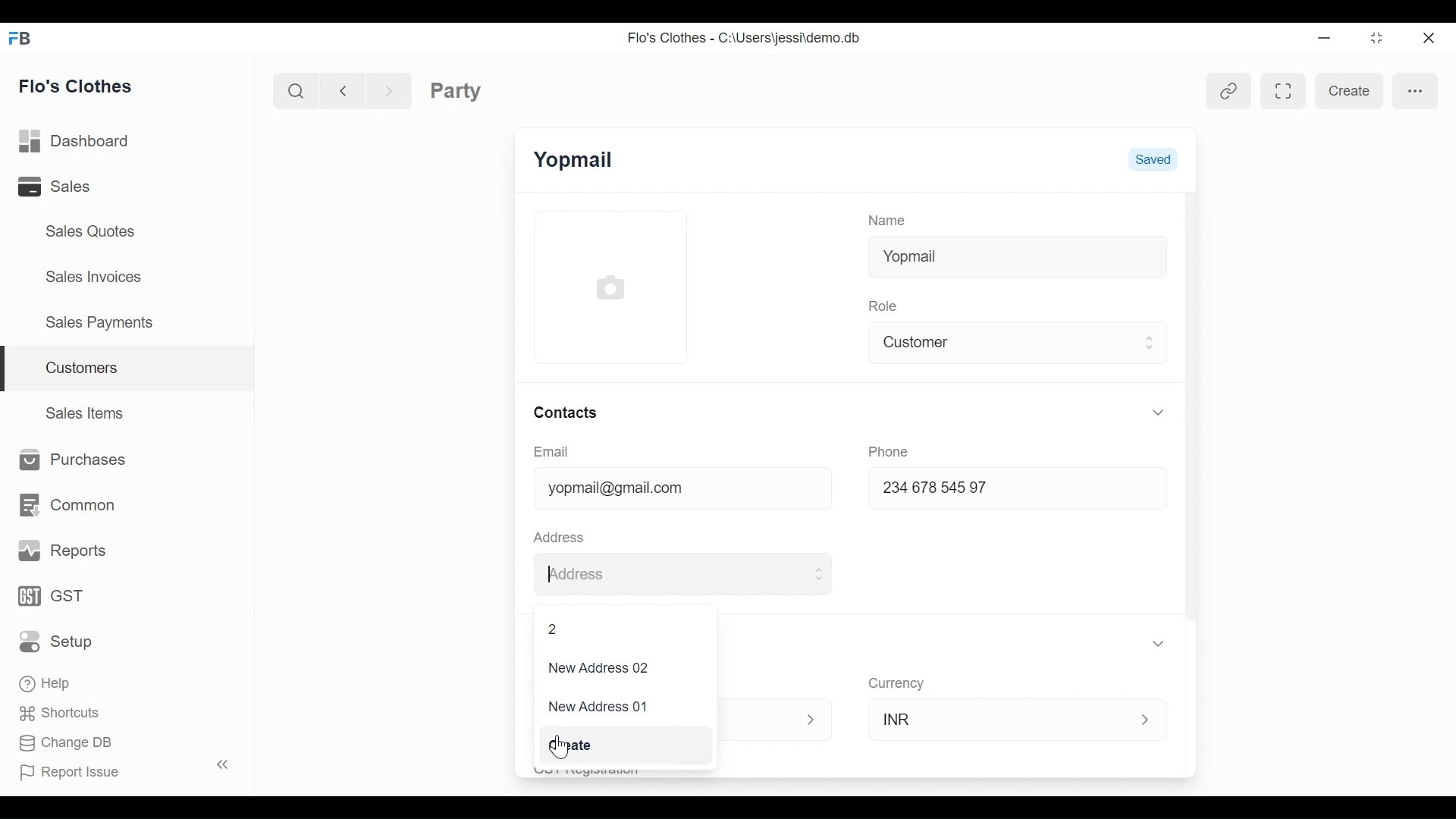 Image resolution: width=1456 pixels, height=819 pixels. What do you see at coordinates (899, 682) in the screenshot?
I see `Currency` at bounding box center [899, 682].